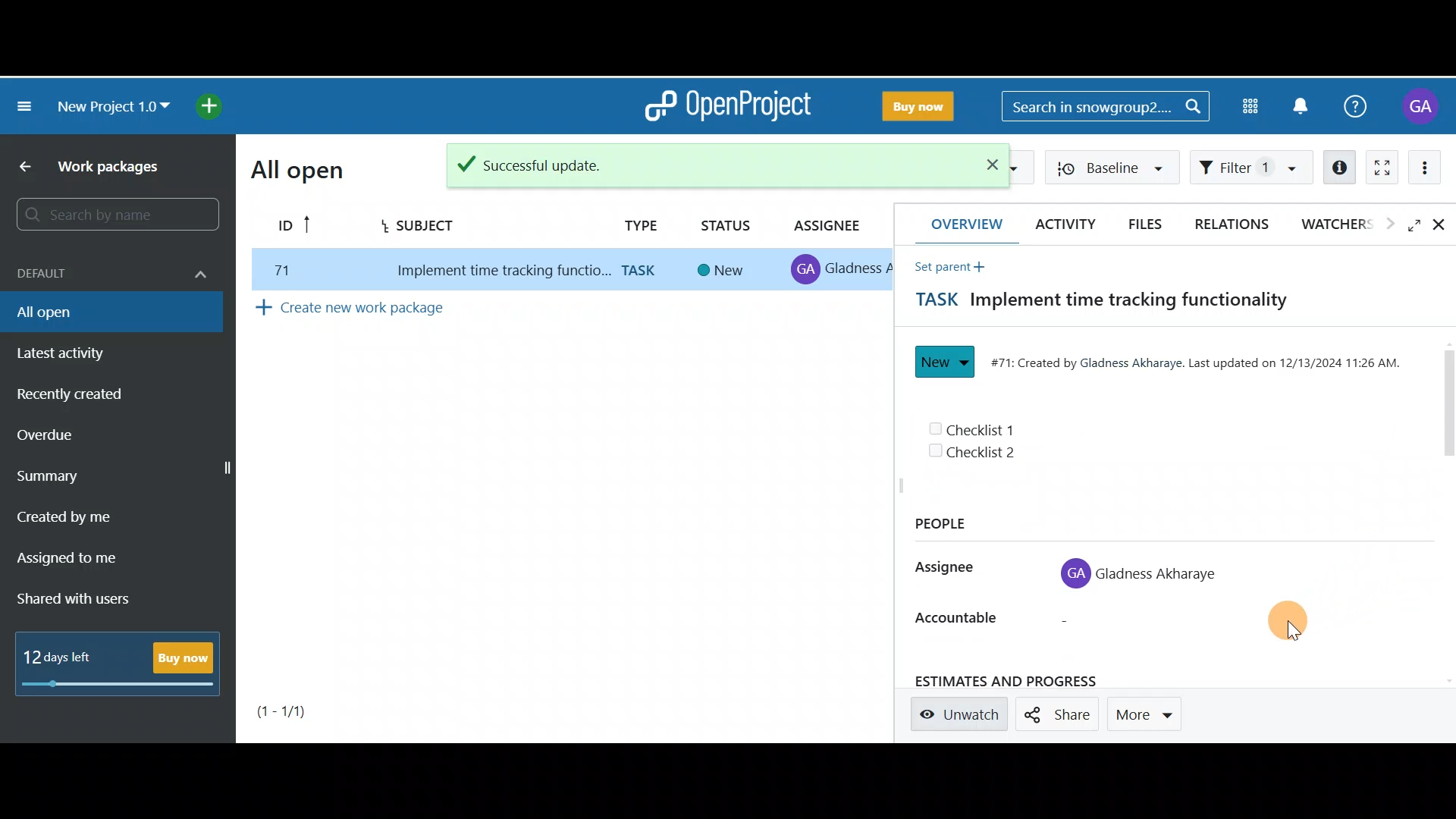 This screenshot has width=1456, height=819. What do you see at coordinates (1415, 108) in the screenshot?
I see `Account name` at bounding box center [1415, 108].